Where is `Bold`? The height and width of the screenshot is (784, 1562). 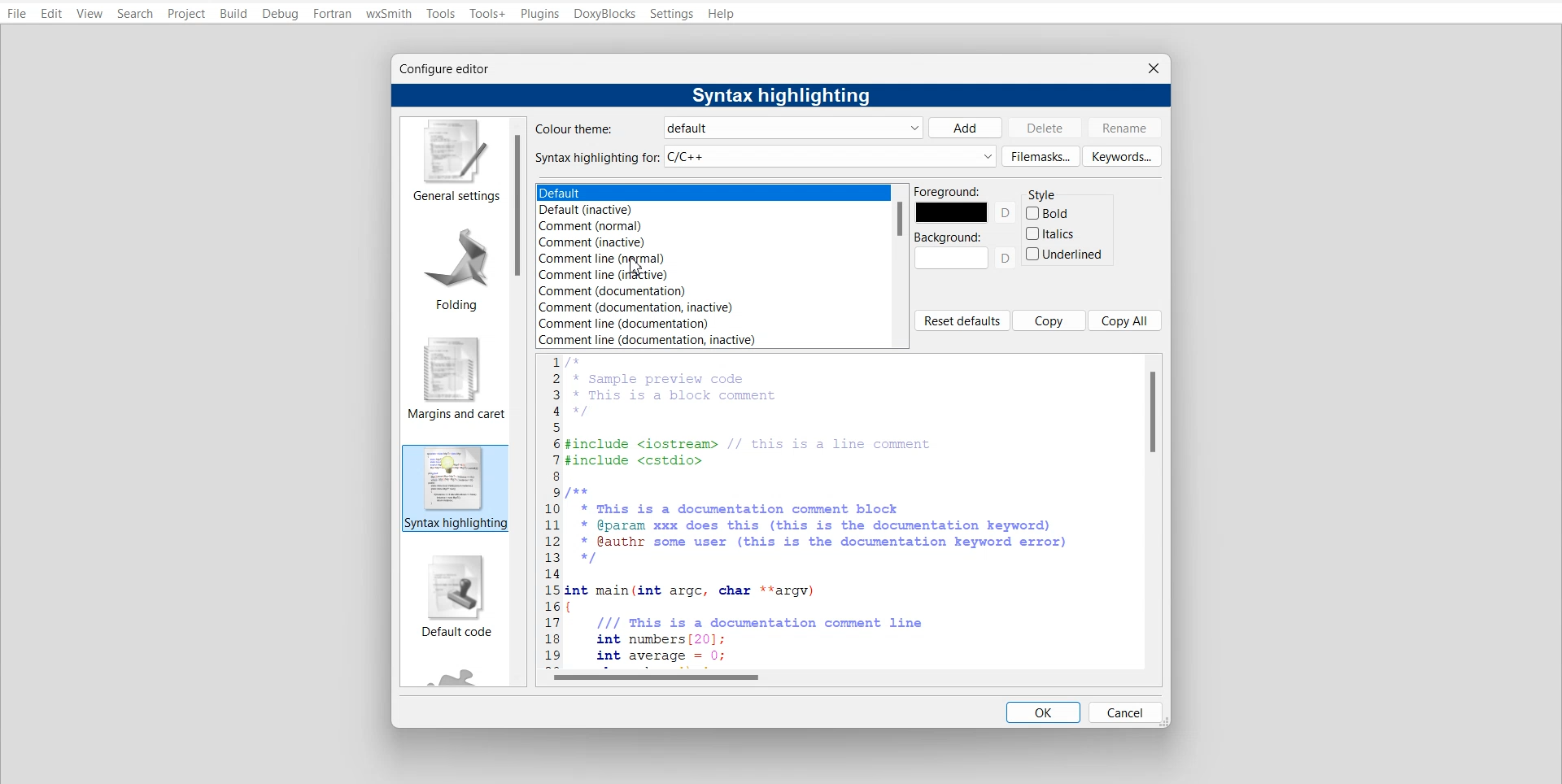 Bold is located at coordinates (1048, 214).